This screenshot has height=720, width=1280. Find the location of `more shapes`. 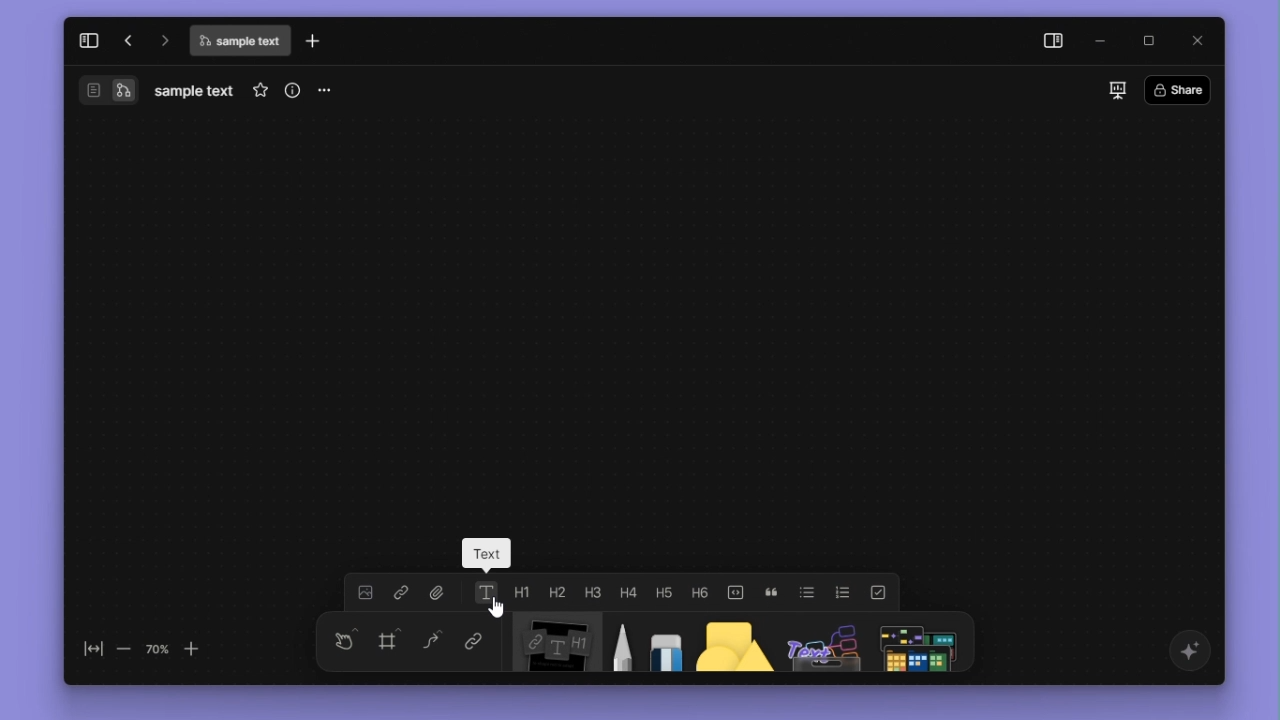

more shapes is located at coordinates (922, 642).